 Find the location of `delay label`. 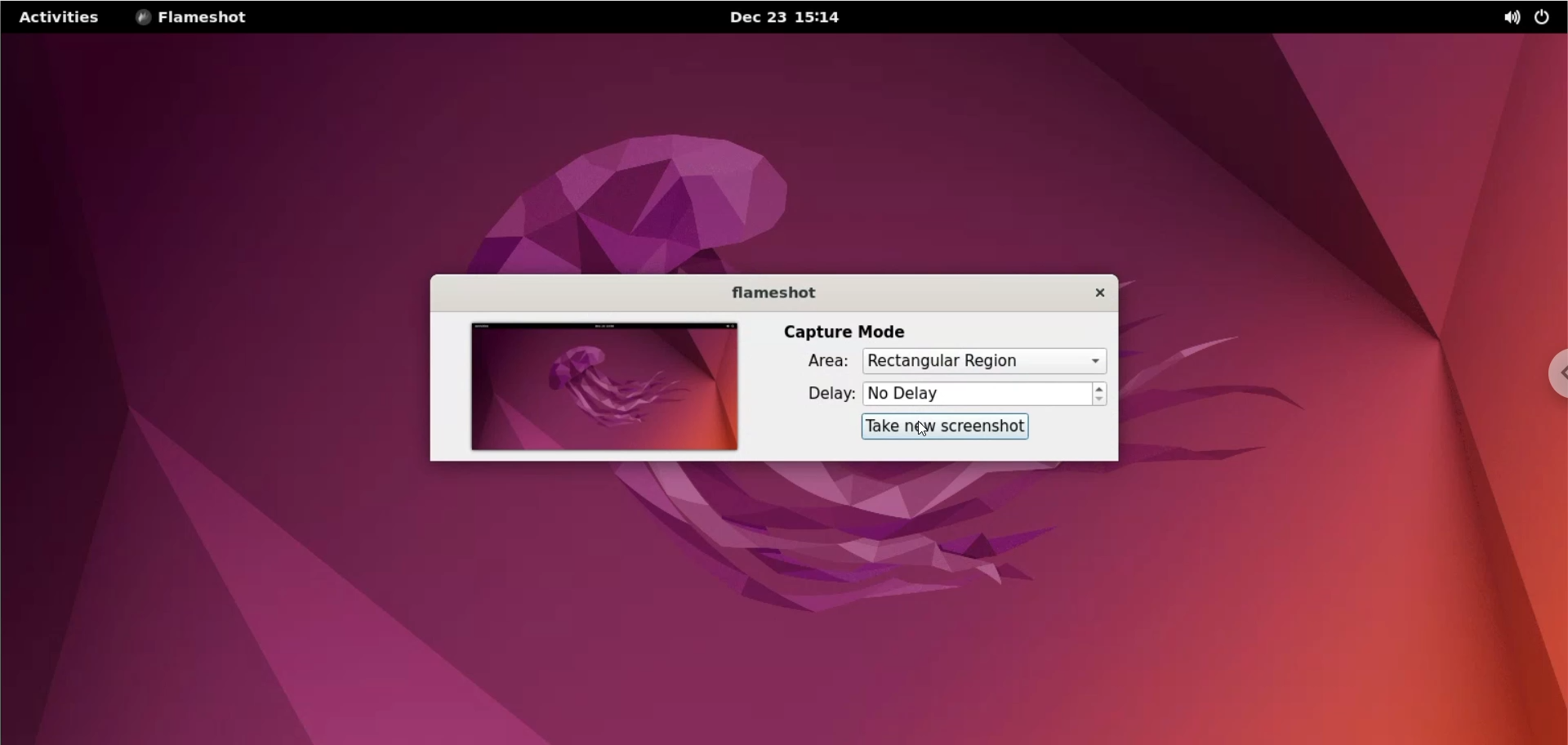

delay label is located at coordinates (821, 395).